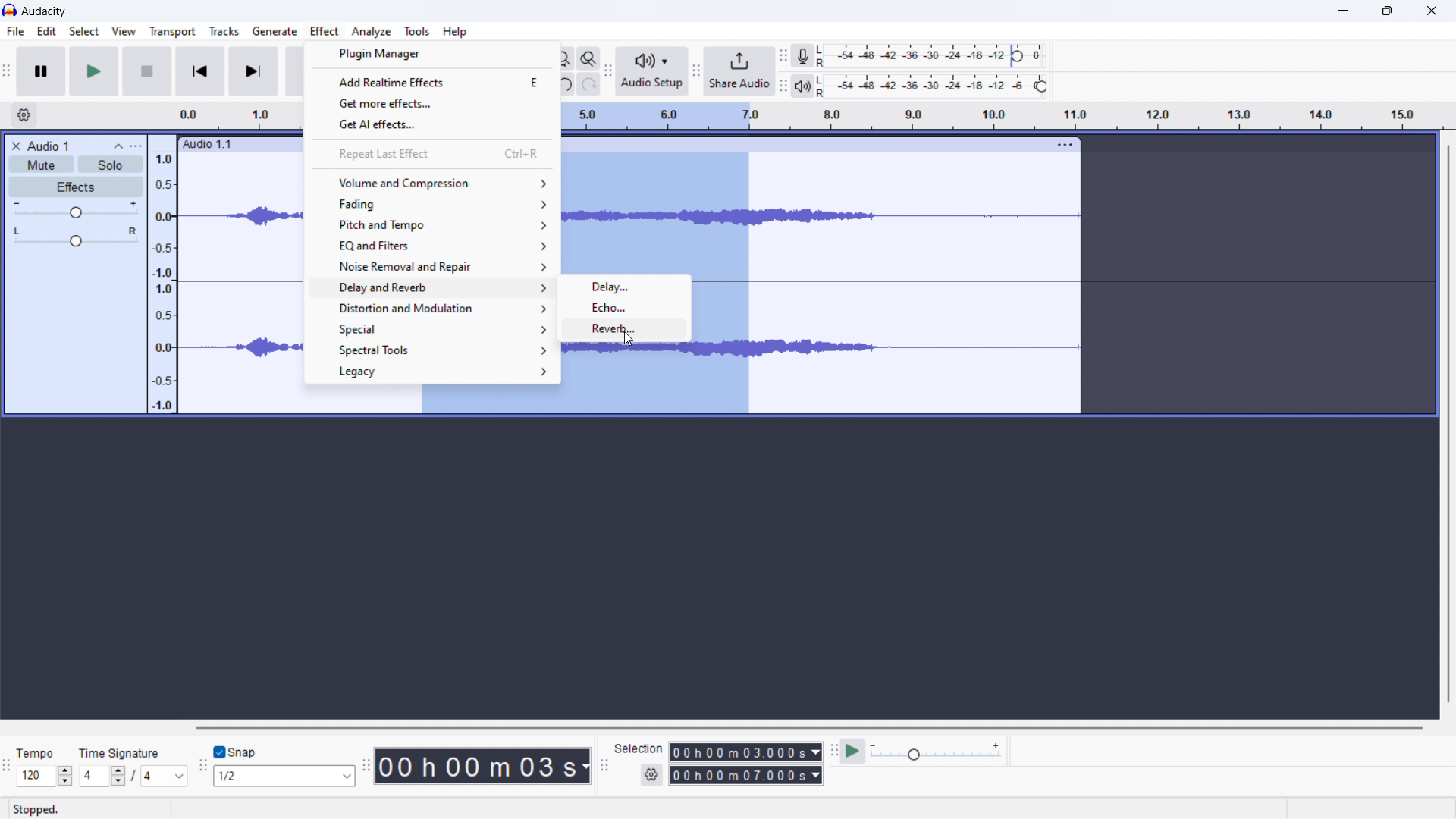 The width and height of the screenshot is (1456, 819). I want to click on pan: centre, so click(76, 240).